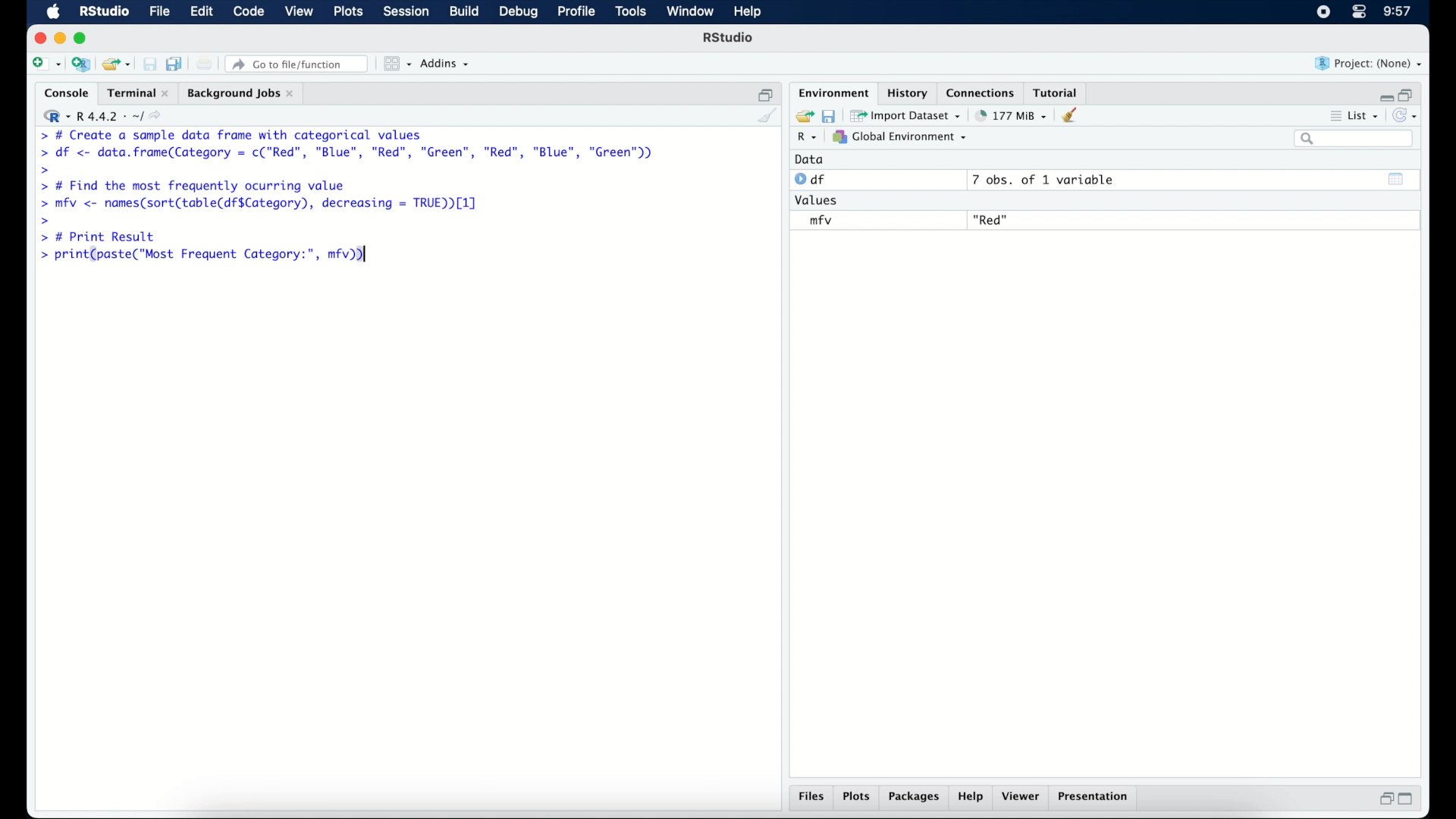 This screenshot has width=1456, height=819. I want to click on terminal, so click(136, 91).